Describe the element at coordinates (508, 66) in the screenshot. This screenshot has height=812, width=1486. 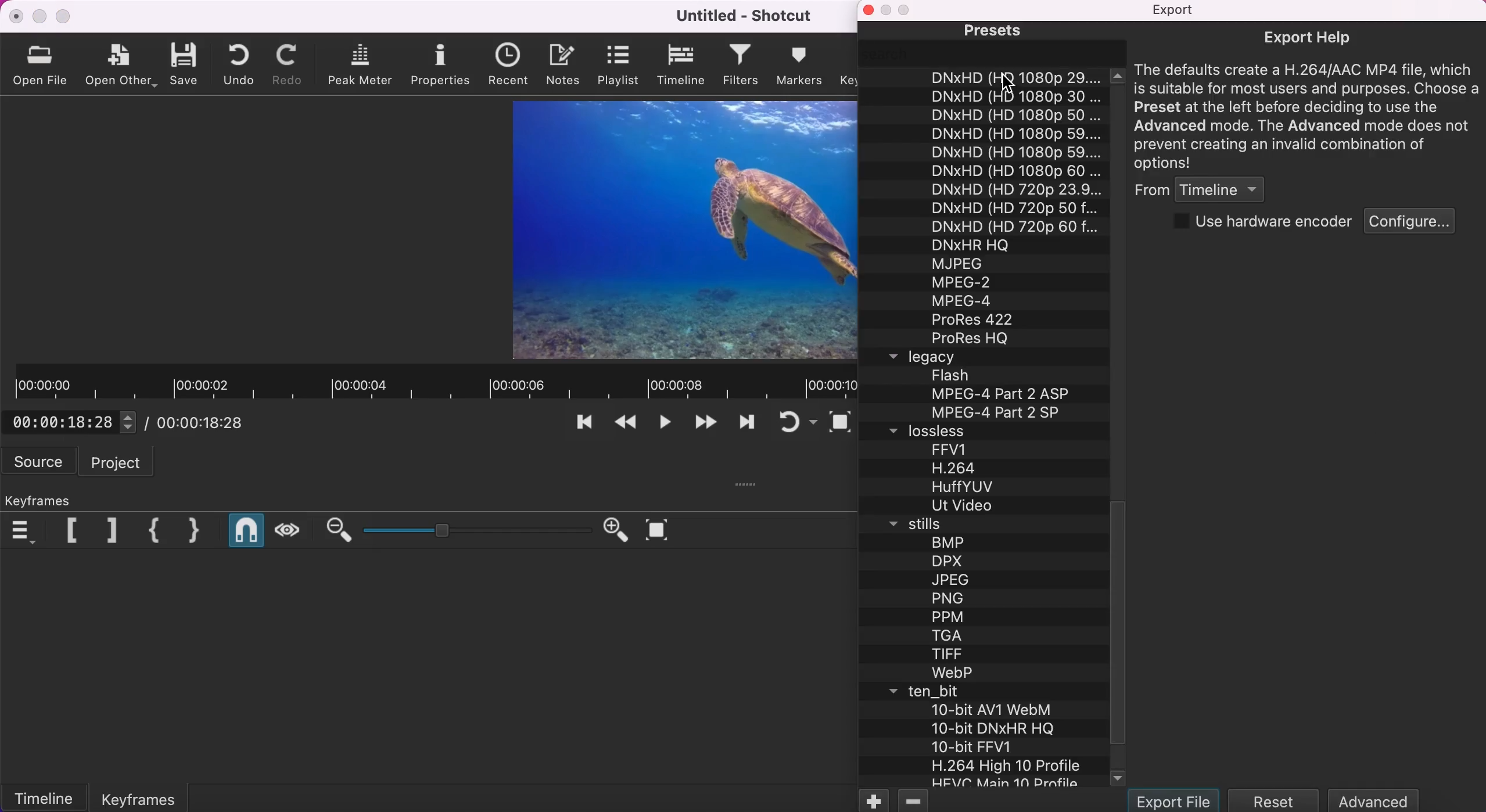
I see `recent` at that location.